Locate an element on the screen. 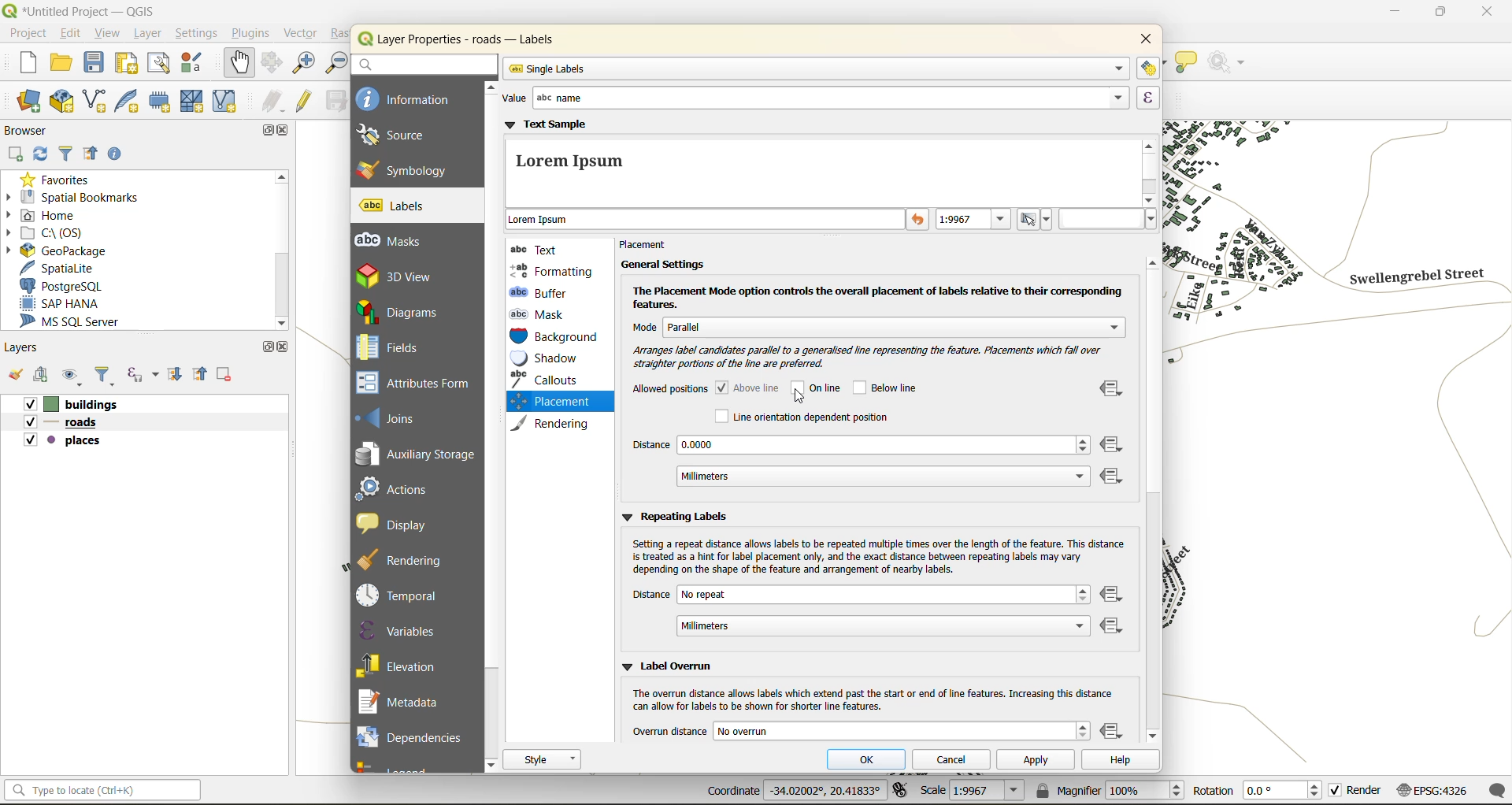 The image size is (1512, 805). project is located at coordinates (28, 35).